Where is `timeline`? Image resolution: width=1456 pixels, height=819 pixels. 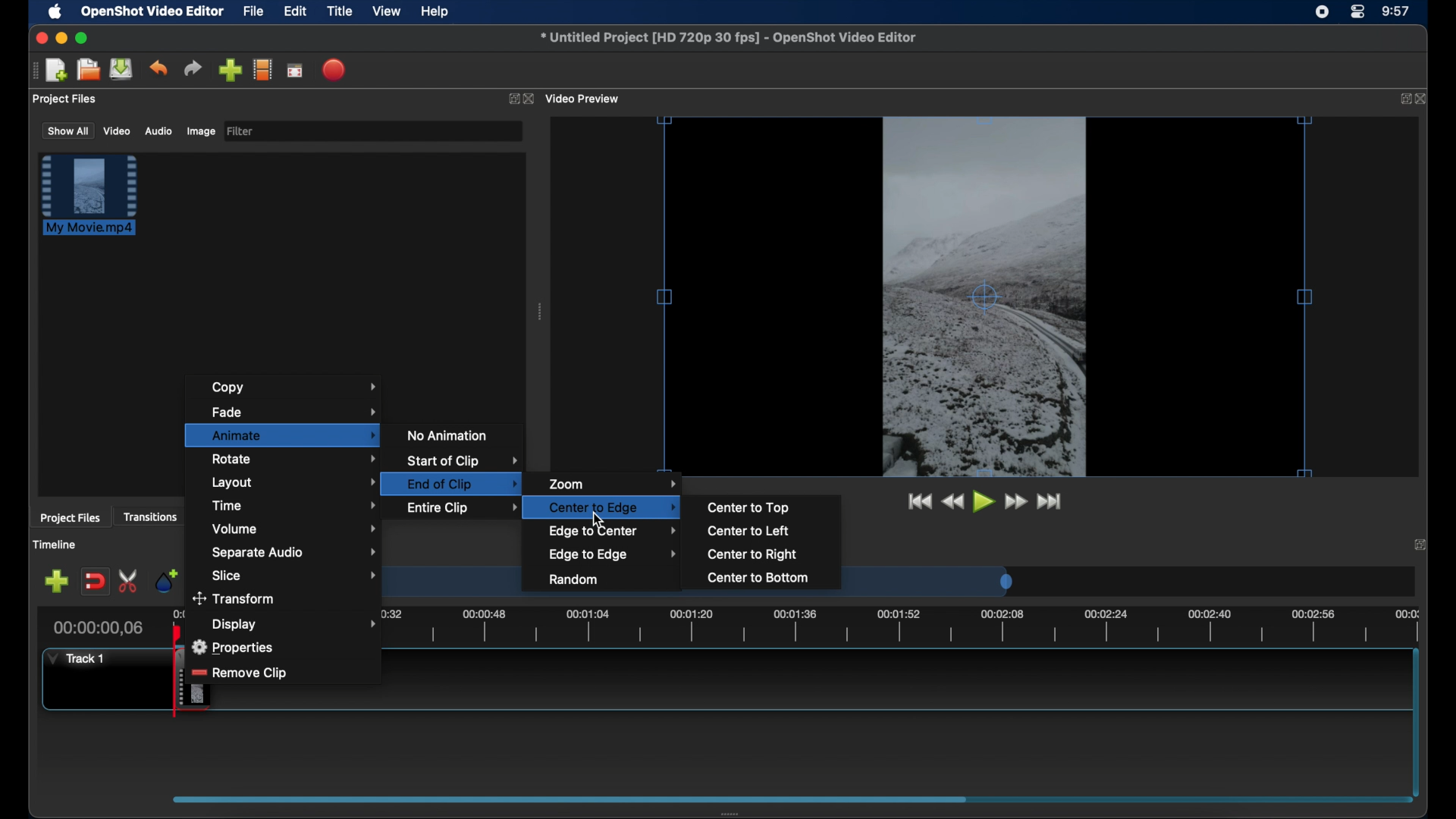
timeline is located at coordinates (55, 544).